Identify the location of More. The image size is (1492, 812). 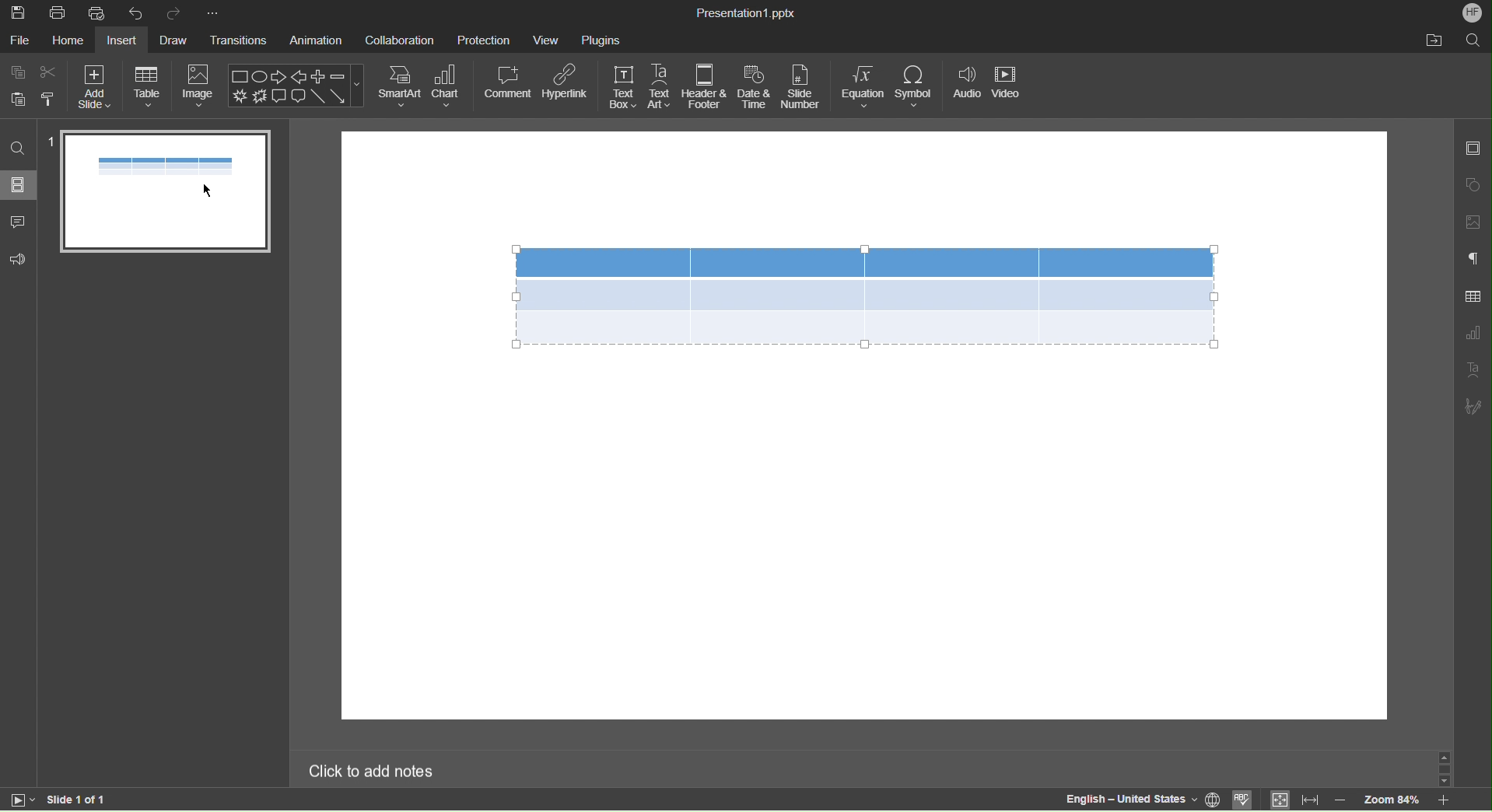
(219, 13).